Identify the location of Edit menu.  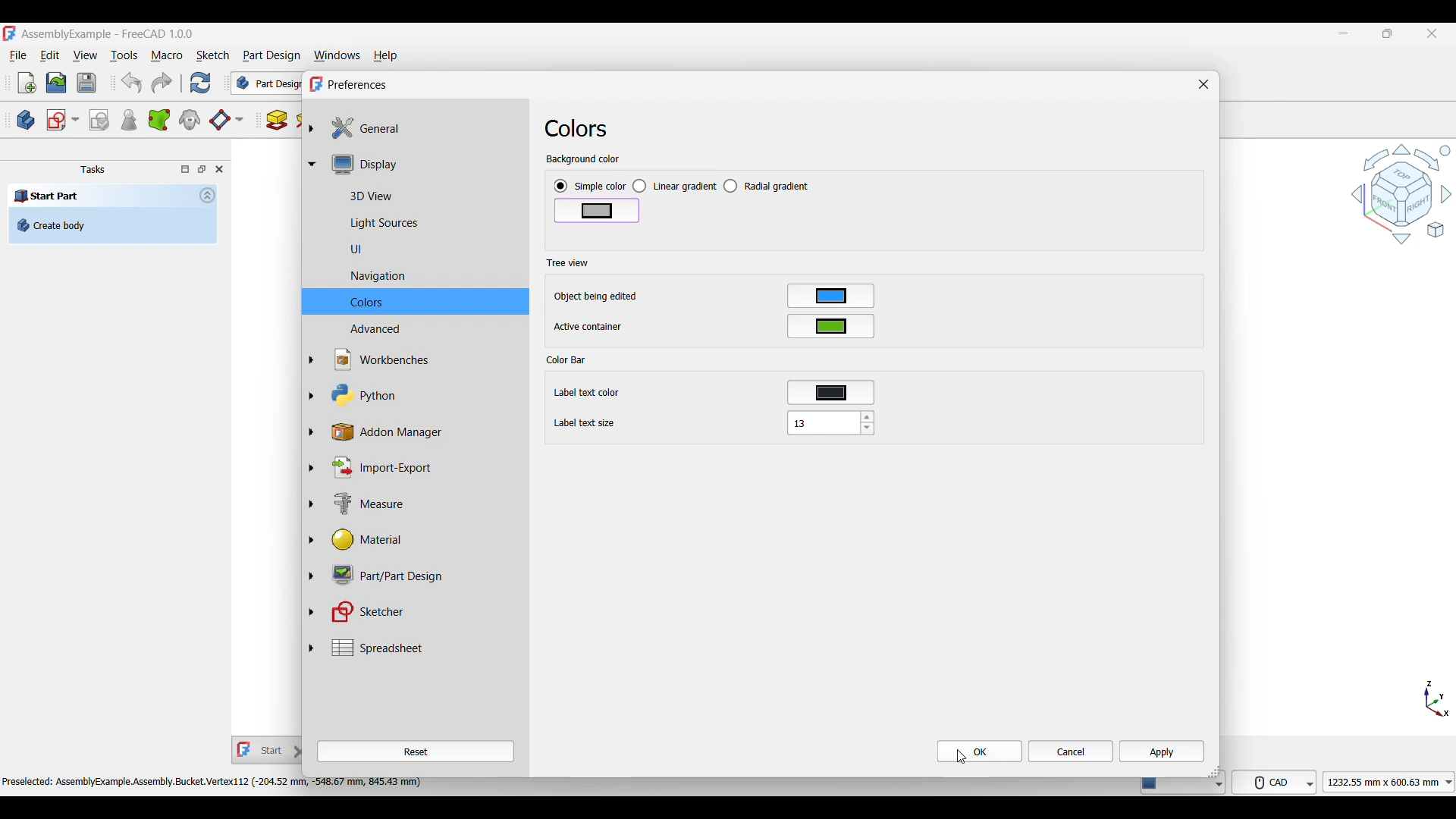
(49, 55).